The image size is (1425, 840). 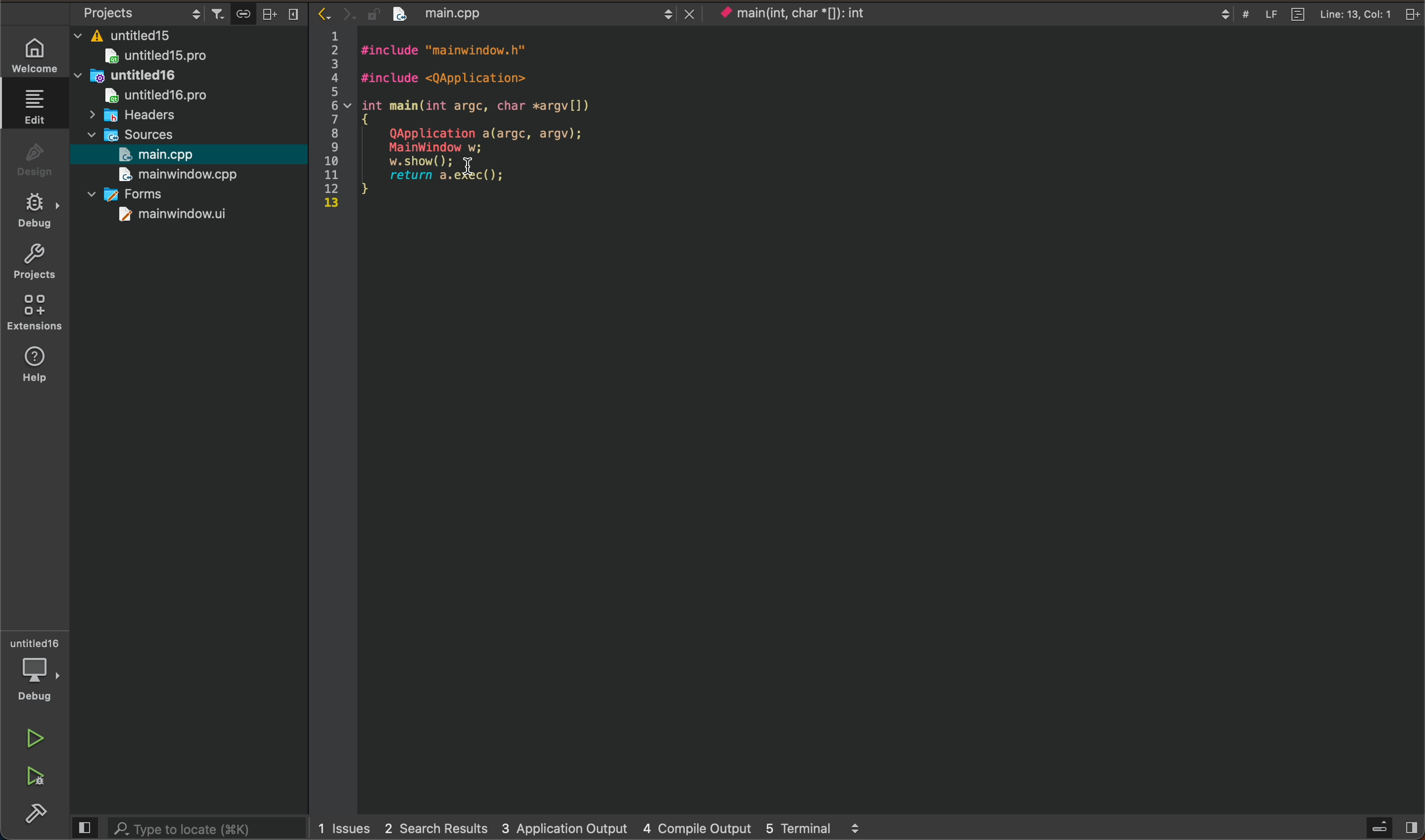 I want to click on 3 application output, so click(x=566, y=826).